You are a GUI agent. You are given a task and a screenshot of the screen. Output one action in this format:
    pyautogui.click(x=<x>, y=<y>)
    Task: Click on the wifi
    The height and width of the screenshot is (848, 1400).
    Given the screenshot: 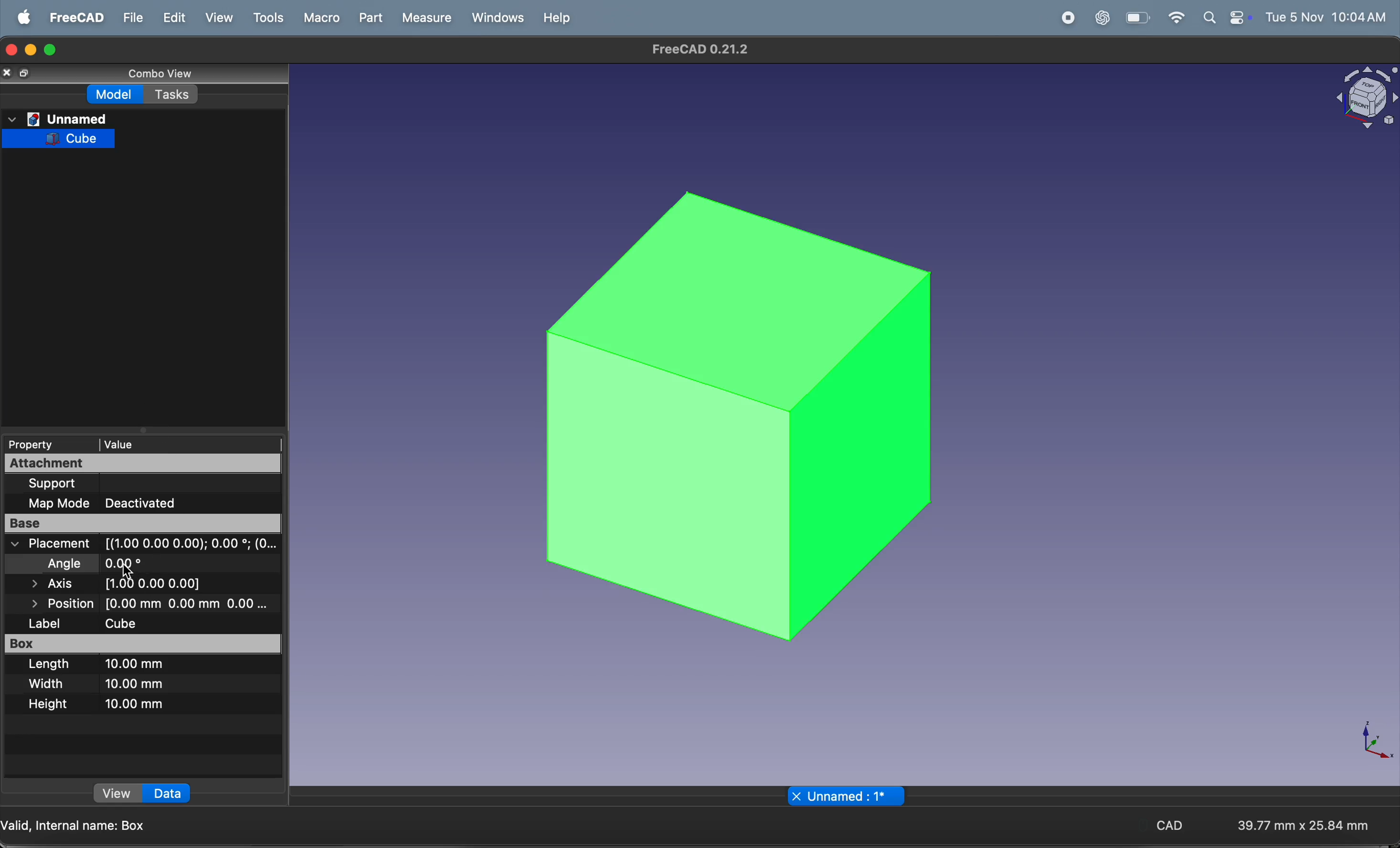 What is the action you would take?
    pyautogui.click(x=1176, y=17)
    